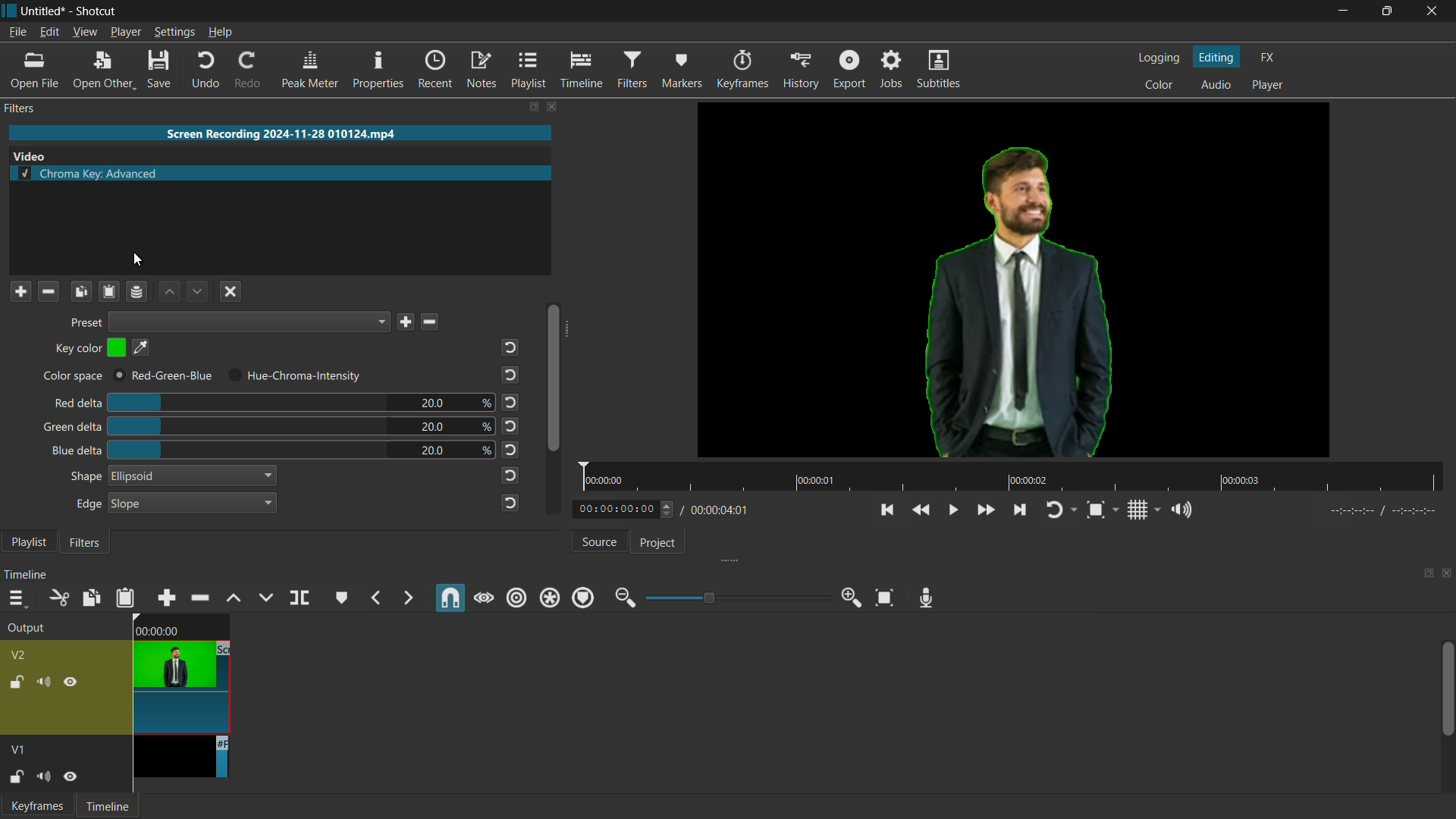 The width and height of the screenshot is (1456, 819). Describe the element at coordinates (201, 599) in the screenshot. I see `ripple delete` at that location.